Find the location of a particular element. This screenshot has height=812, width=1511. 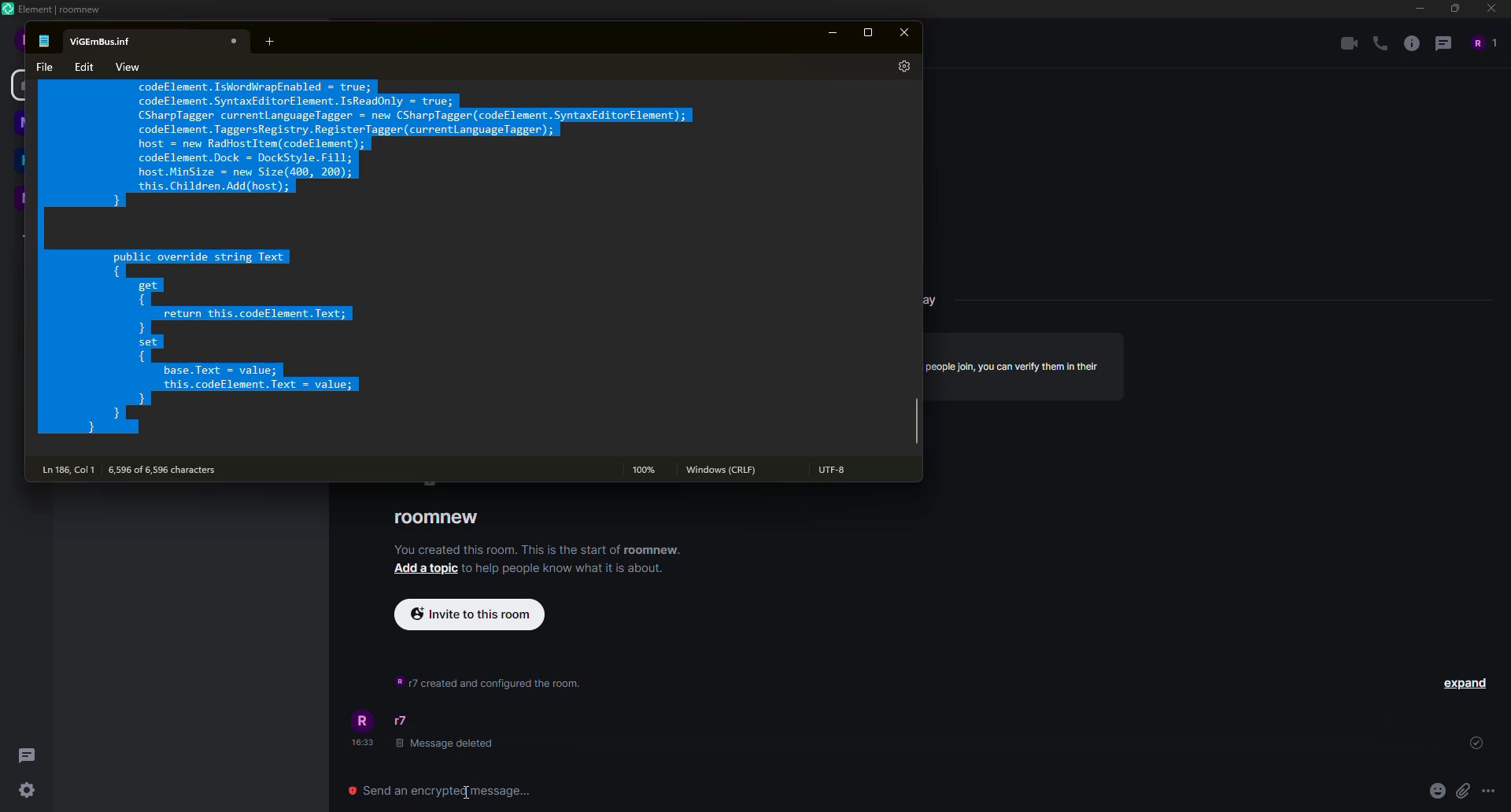

sent is located at coordinates (1474, 744).